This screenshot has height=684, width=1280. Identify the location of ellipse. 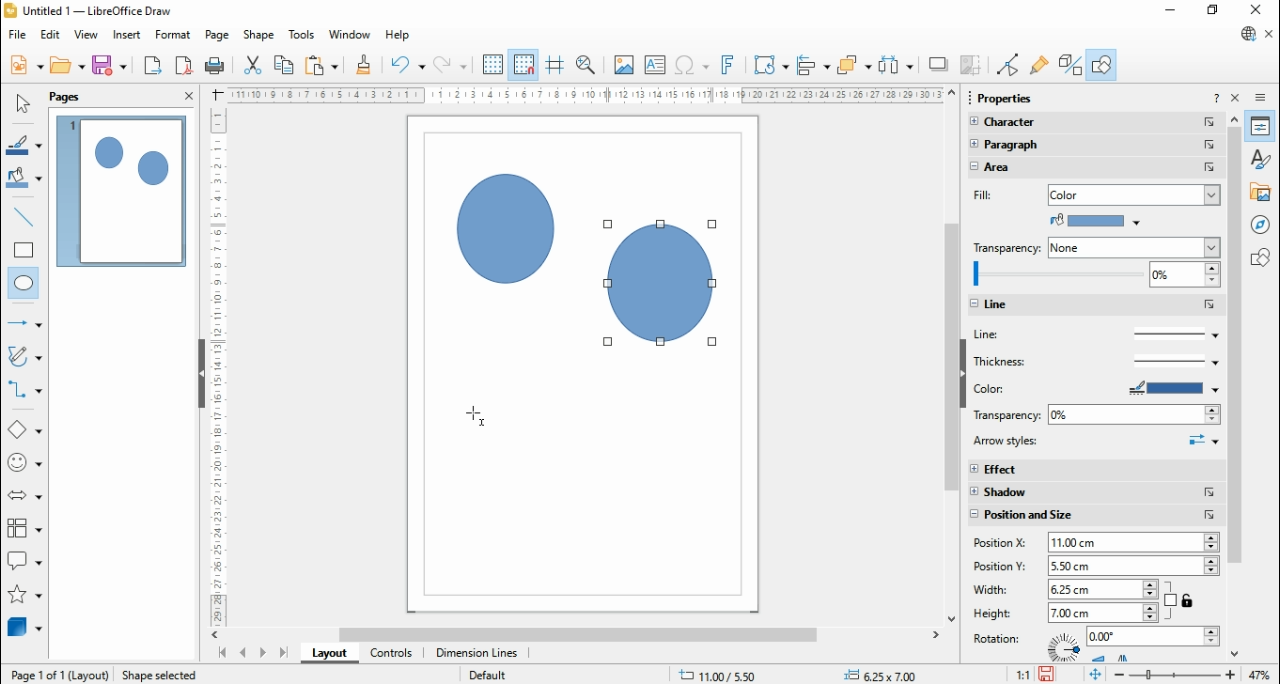
(25, 284).